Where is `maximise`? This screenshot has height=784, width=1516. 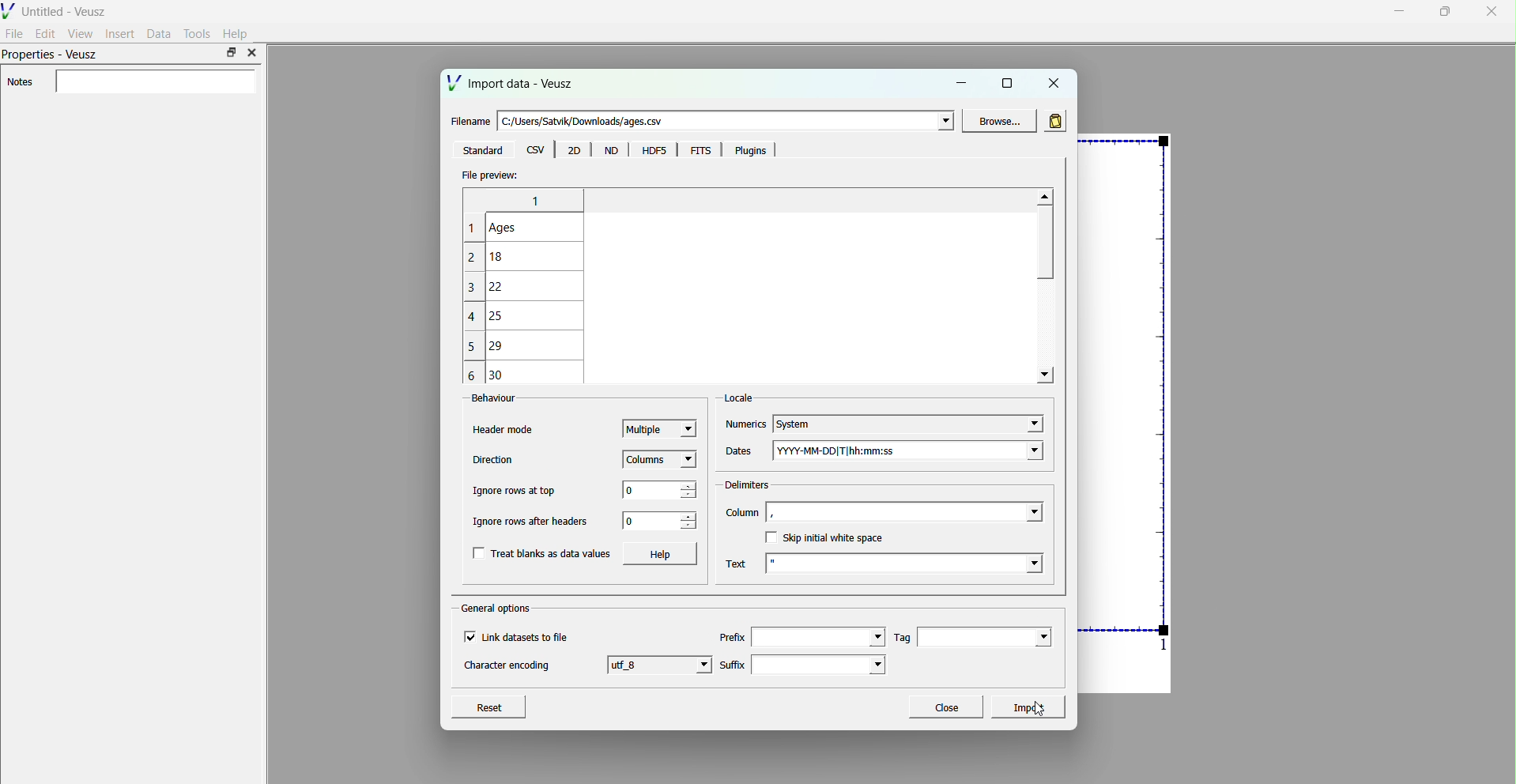
maximise is located at coordinates (1007, 81).